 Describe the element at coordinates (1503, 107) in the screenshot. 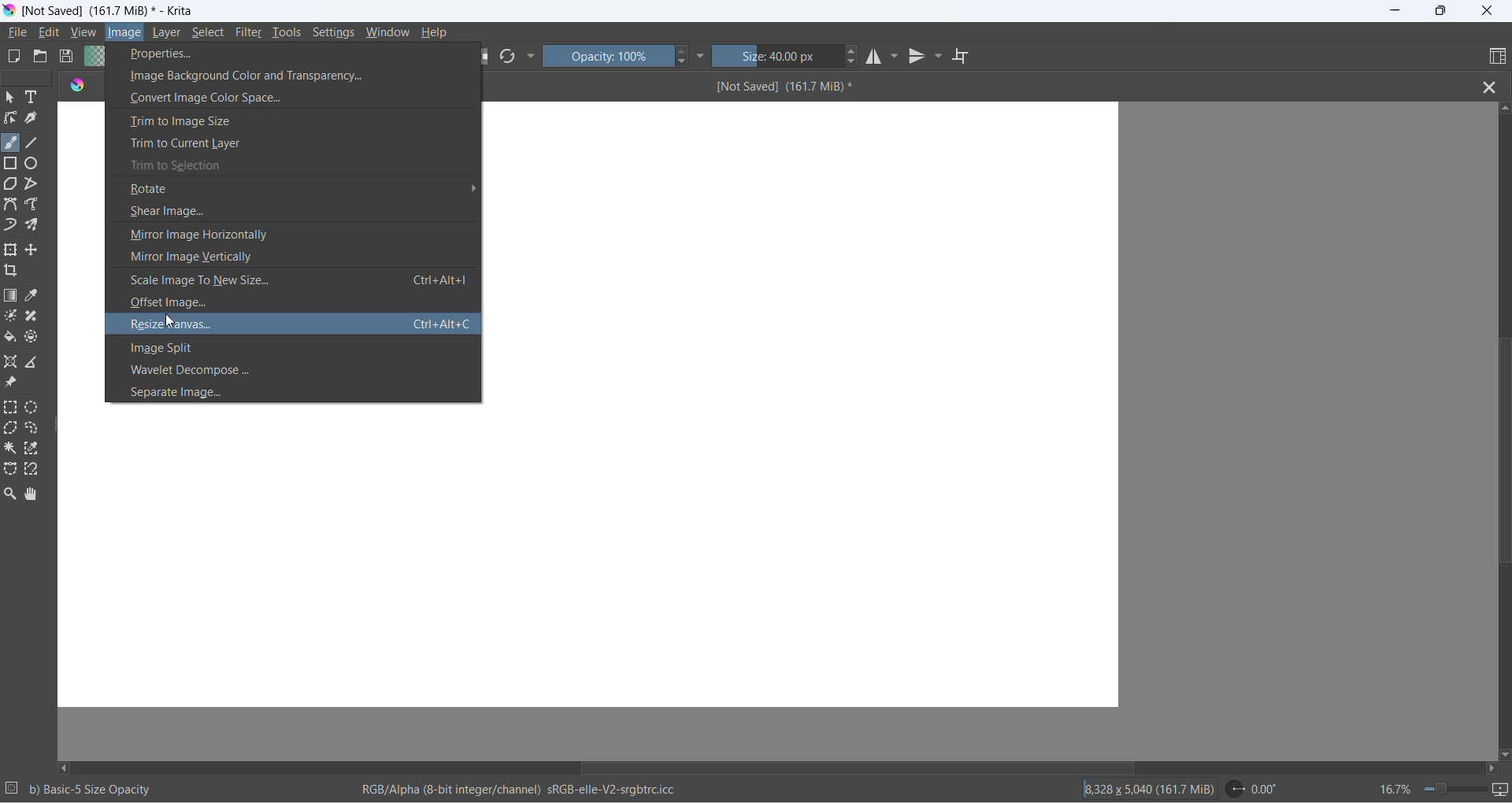

I see `scroll up button` at that location.